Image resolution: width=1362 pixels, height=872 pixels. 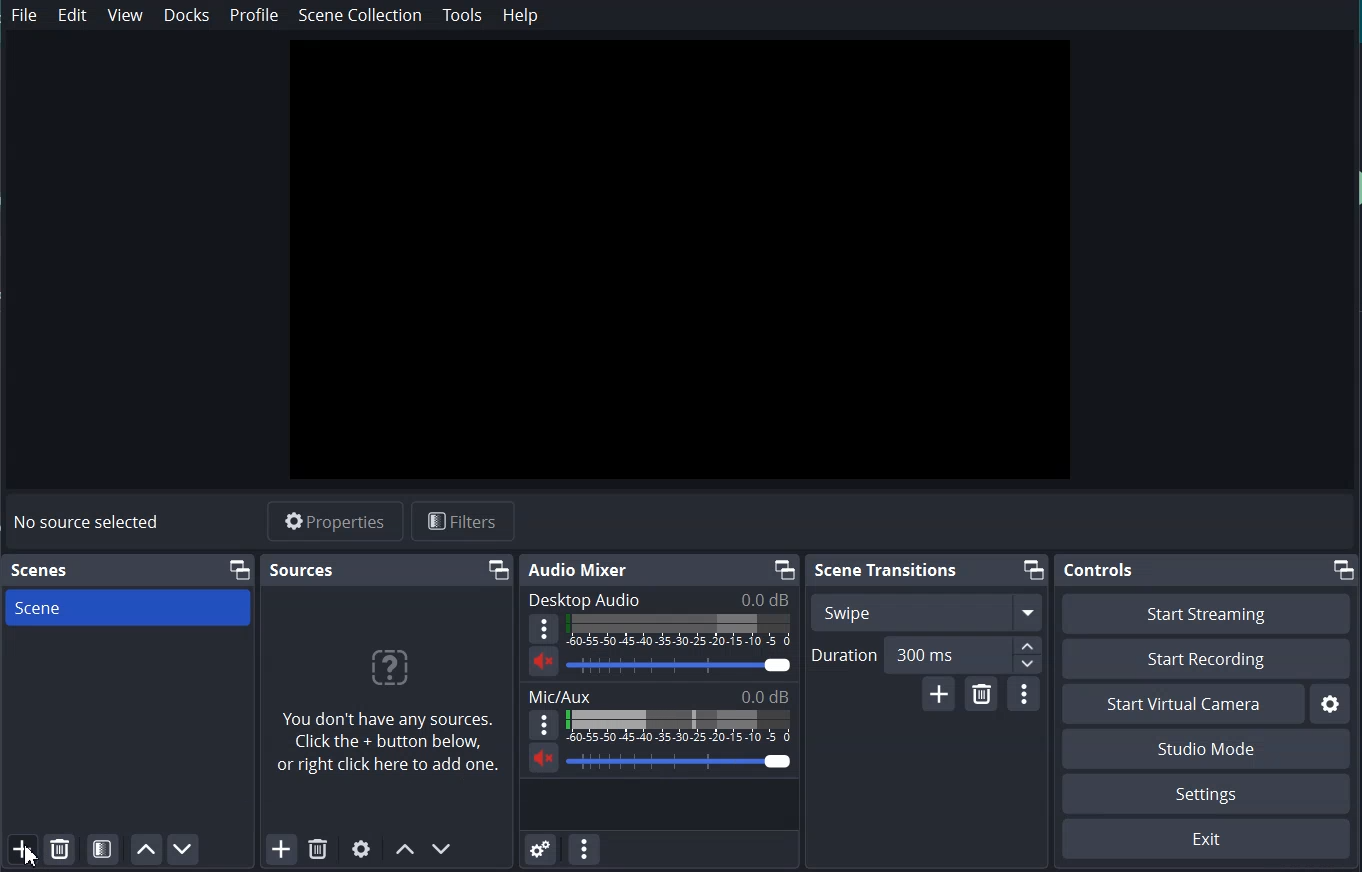 What do you see at coordinates (926, 611) in the screenshot?
I see `Swipe` at bounding box center [926, 611].